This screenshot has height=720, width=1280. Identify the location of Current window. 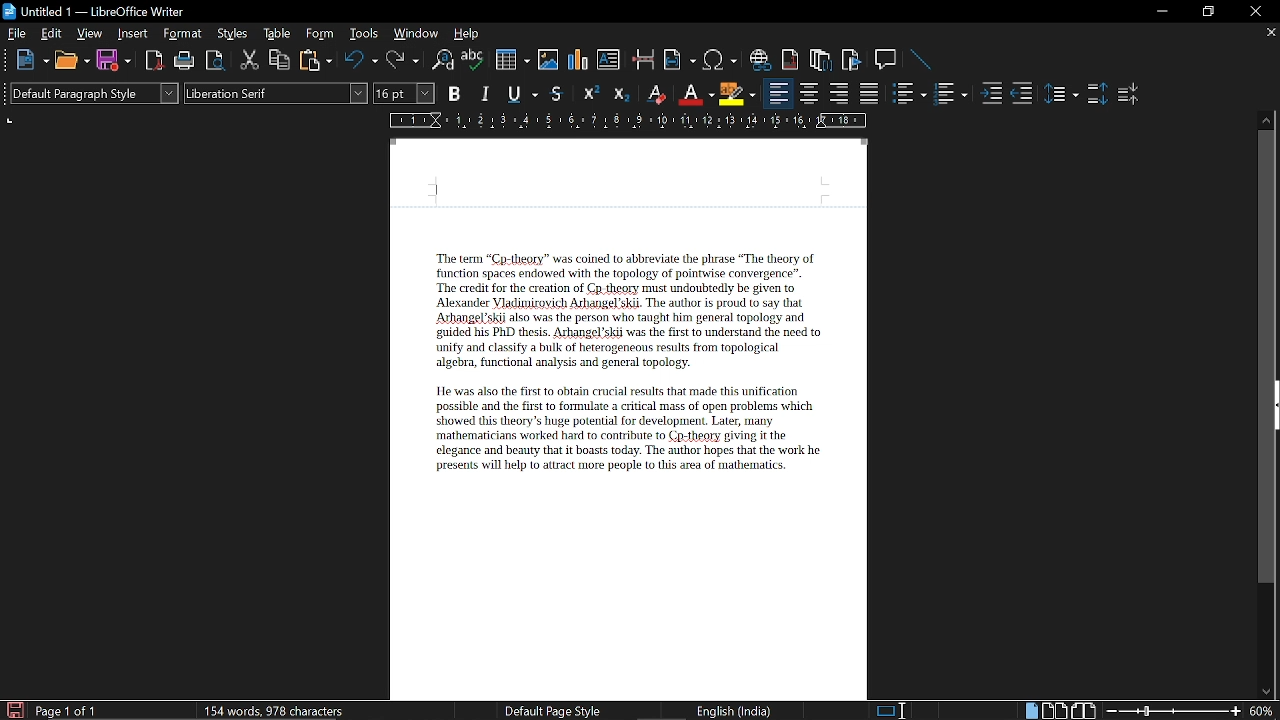
(94, 12).